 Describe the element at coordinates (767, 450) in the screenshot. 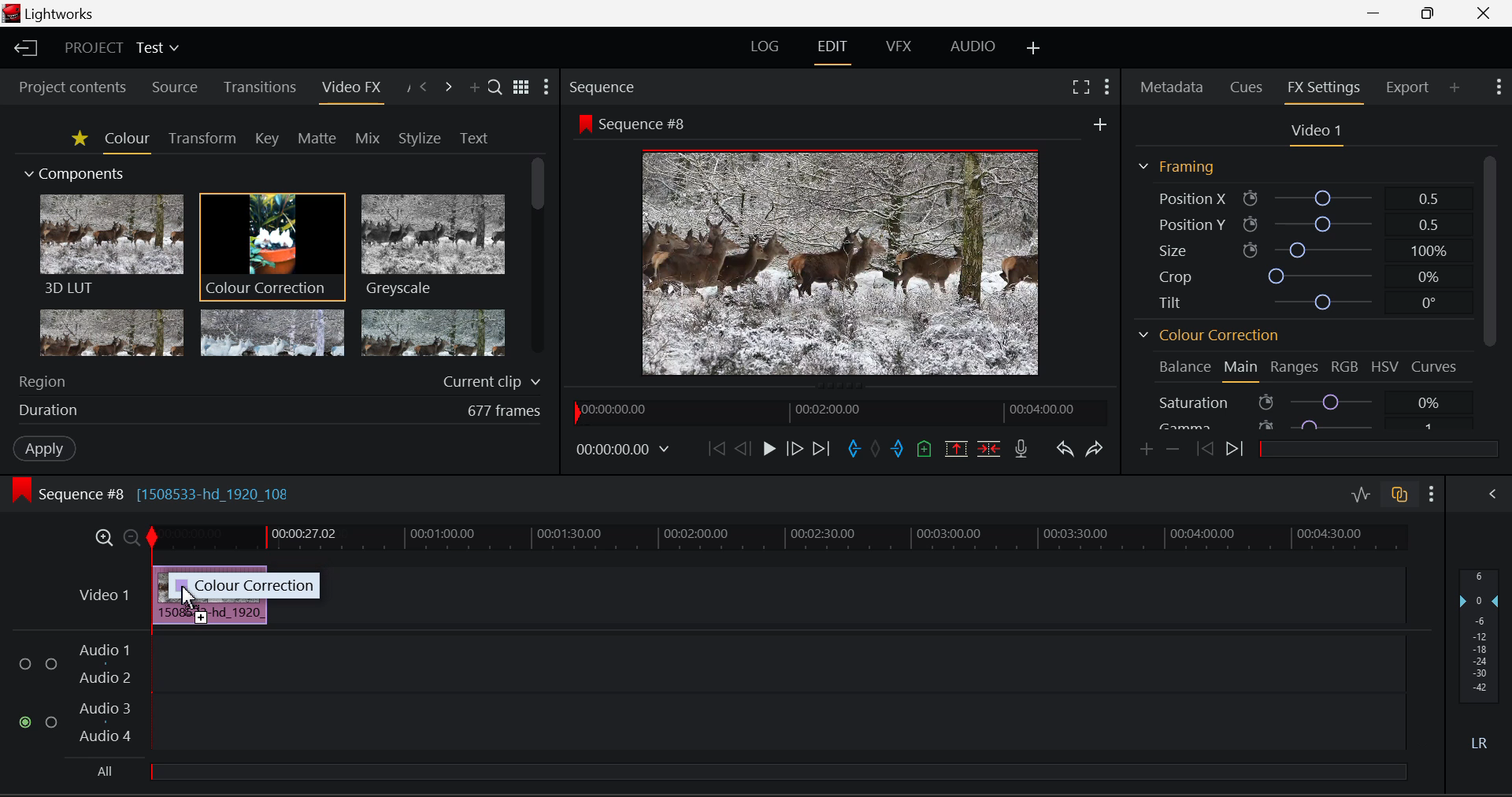

I see `Play` at that location.